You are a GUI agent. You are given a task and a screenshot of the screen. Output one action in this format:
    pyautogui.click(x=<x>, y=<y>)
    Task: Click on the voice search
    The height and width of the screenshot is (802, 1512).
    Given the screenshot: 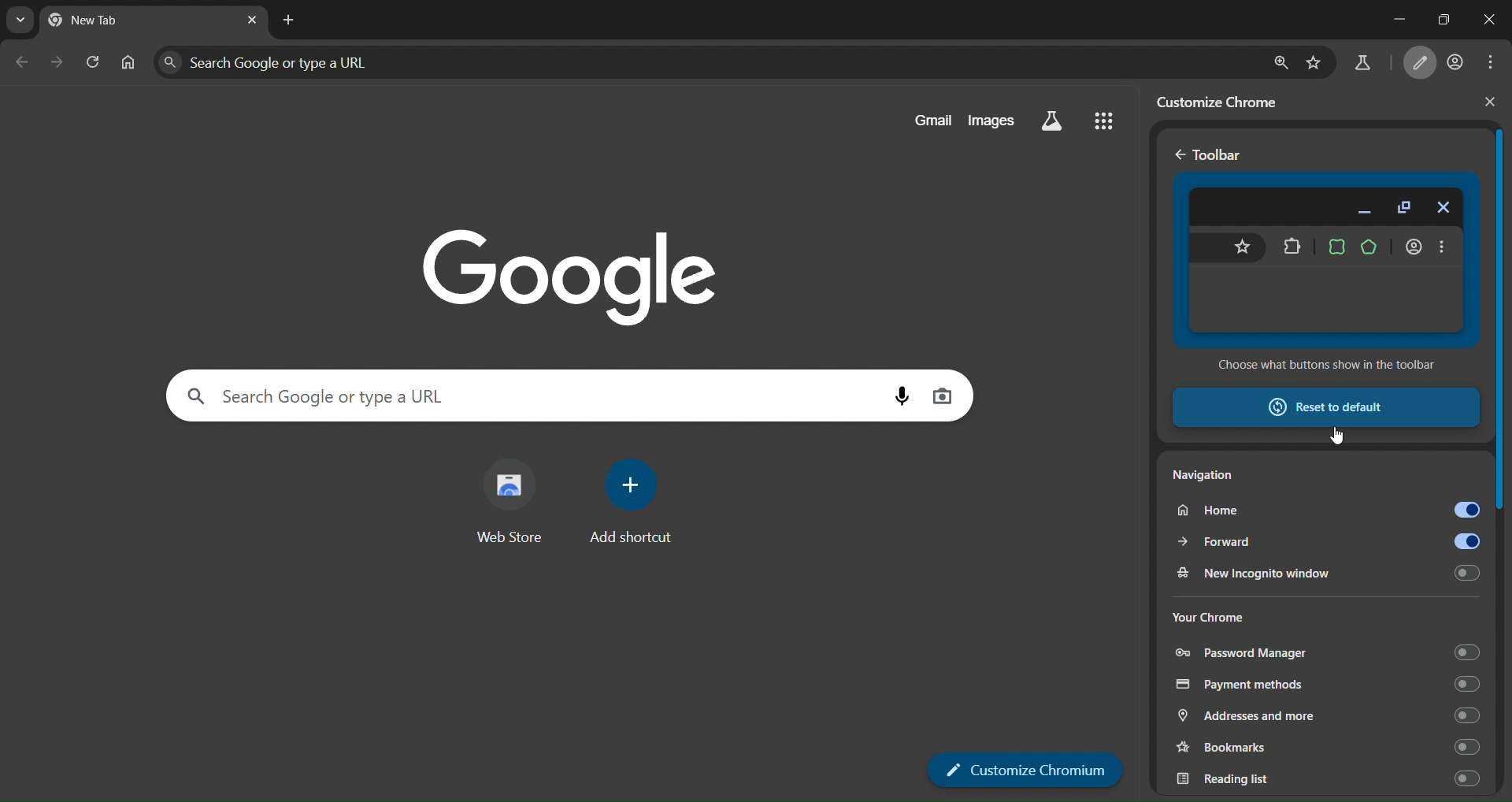 What is the action you would take?
    pyautogui.click(x=902, y=395)
    